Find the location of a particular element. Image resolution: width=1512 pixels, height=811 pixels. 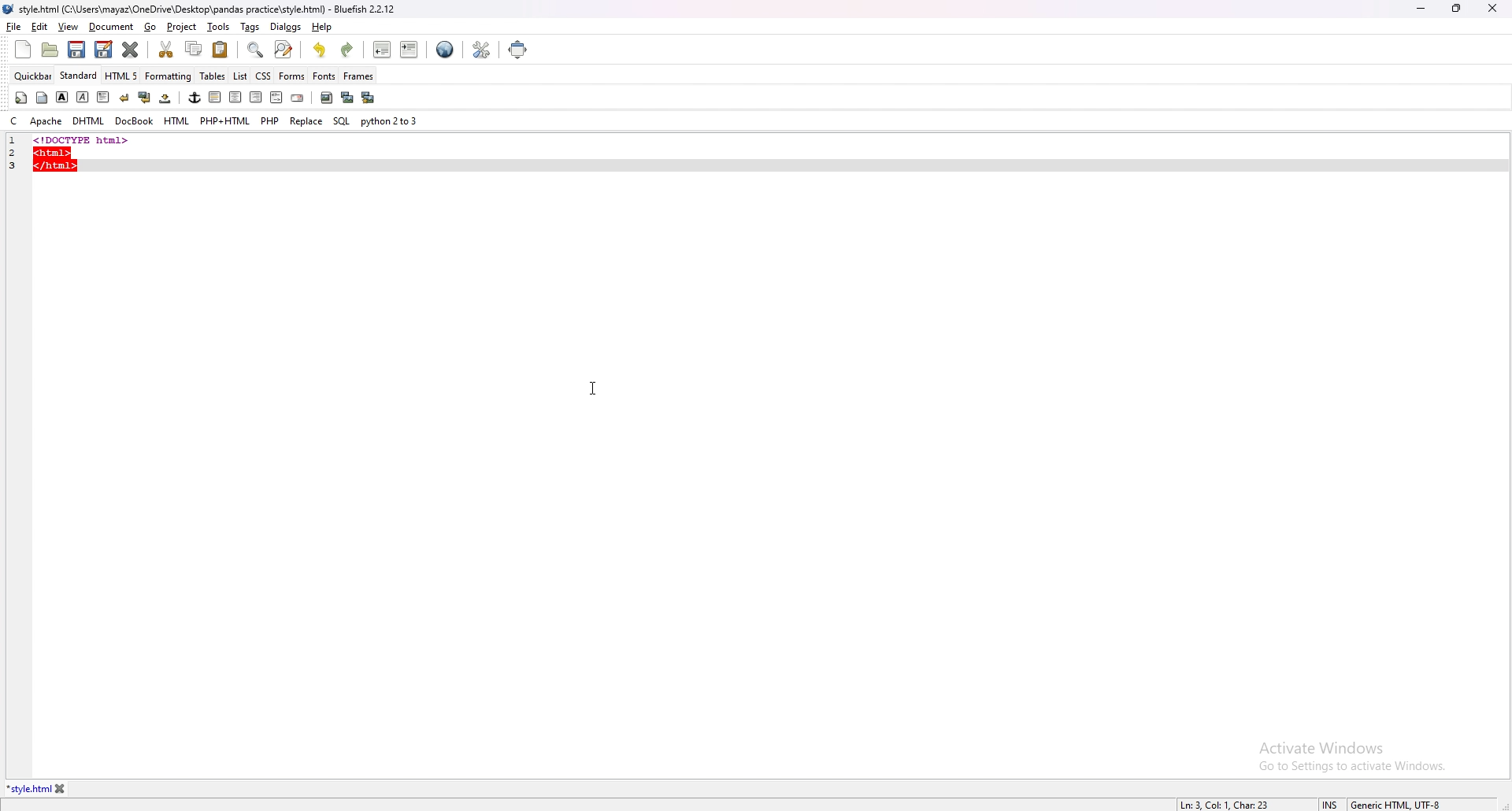

fonts is located at coordinates (324, 76).